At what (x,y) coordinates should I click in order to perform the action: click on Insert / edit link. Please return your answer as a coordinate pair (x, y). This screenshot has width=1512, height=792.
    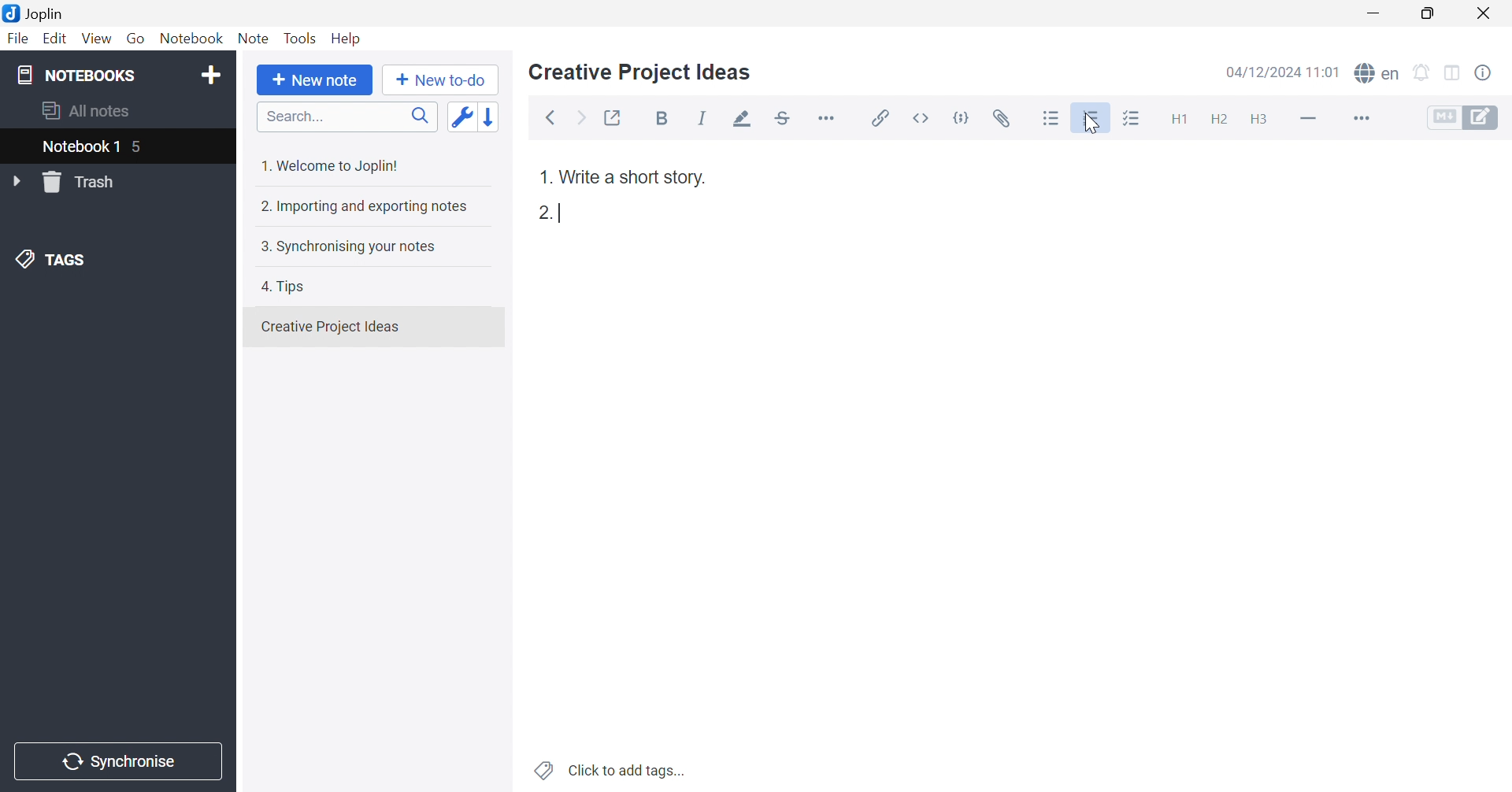
    Looking at the image, I should click on (881, 117).